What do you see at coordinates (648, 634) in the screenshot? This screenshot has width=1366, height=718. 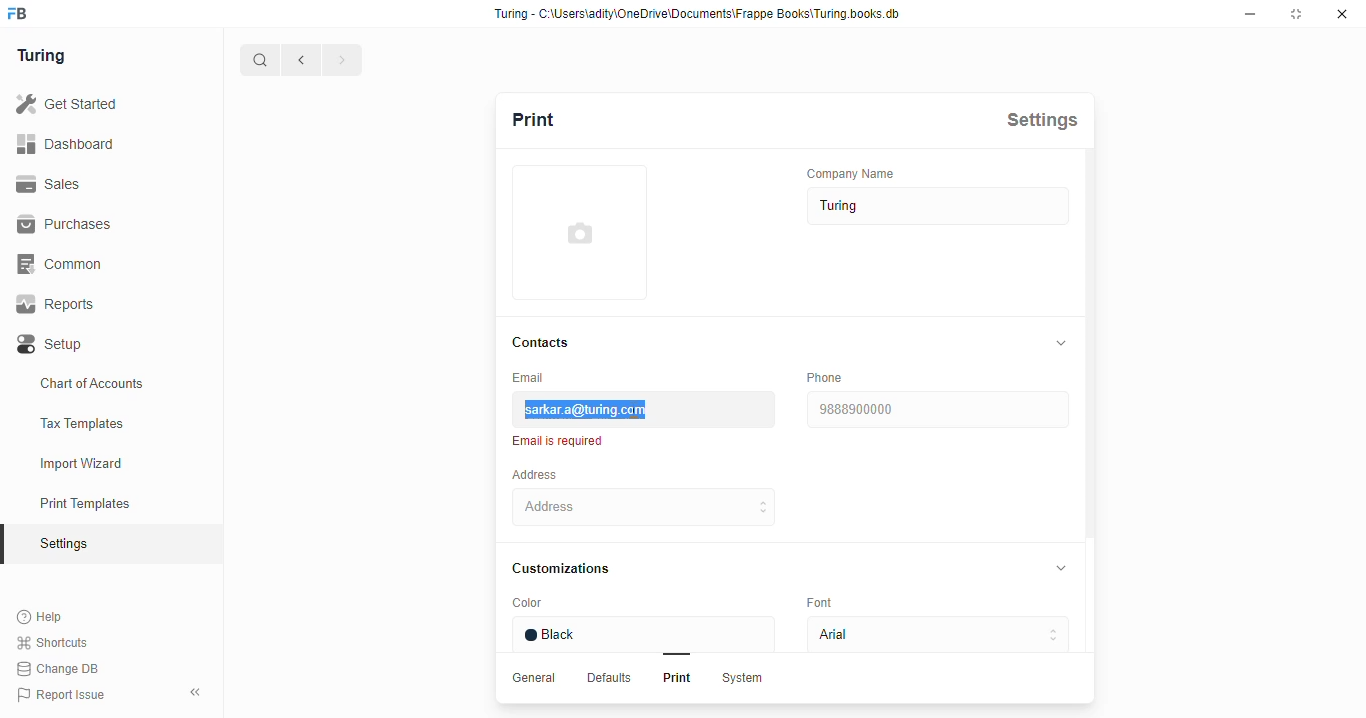 I see `Black` at bounding box center [648, 634].